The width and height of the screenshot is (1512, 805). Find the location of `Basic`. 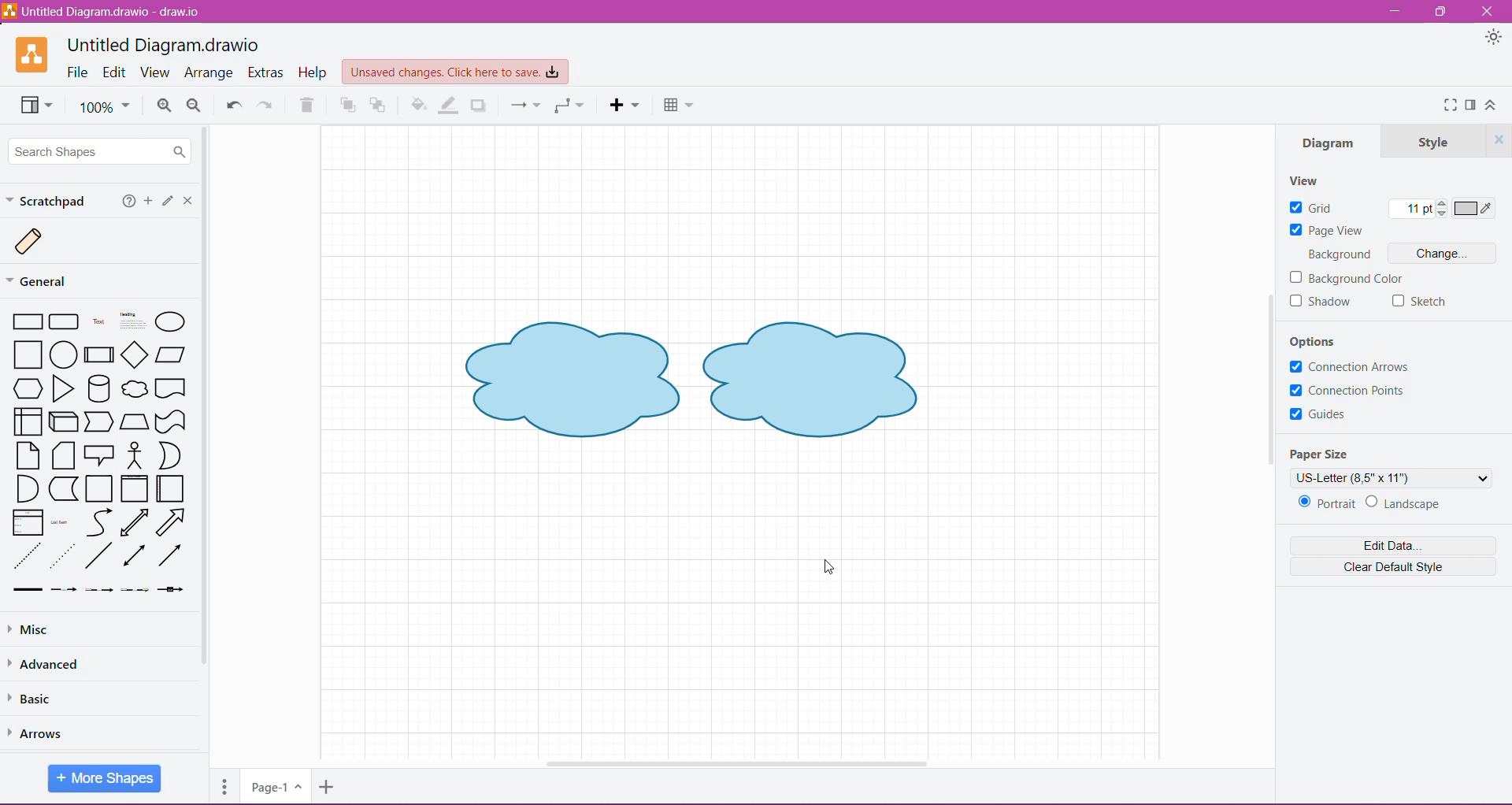

Basic is located at coordinates (38, 699).